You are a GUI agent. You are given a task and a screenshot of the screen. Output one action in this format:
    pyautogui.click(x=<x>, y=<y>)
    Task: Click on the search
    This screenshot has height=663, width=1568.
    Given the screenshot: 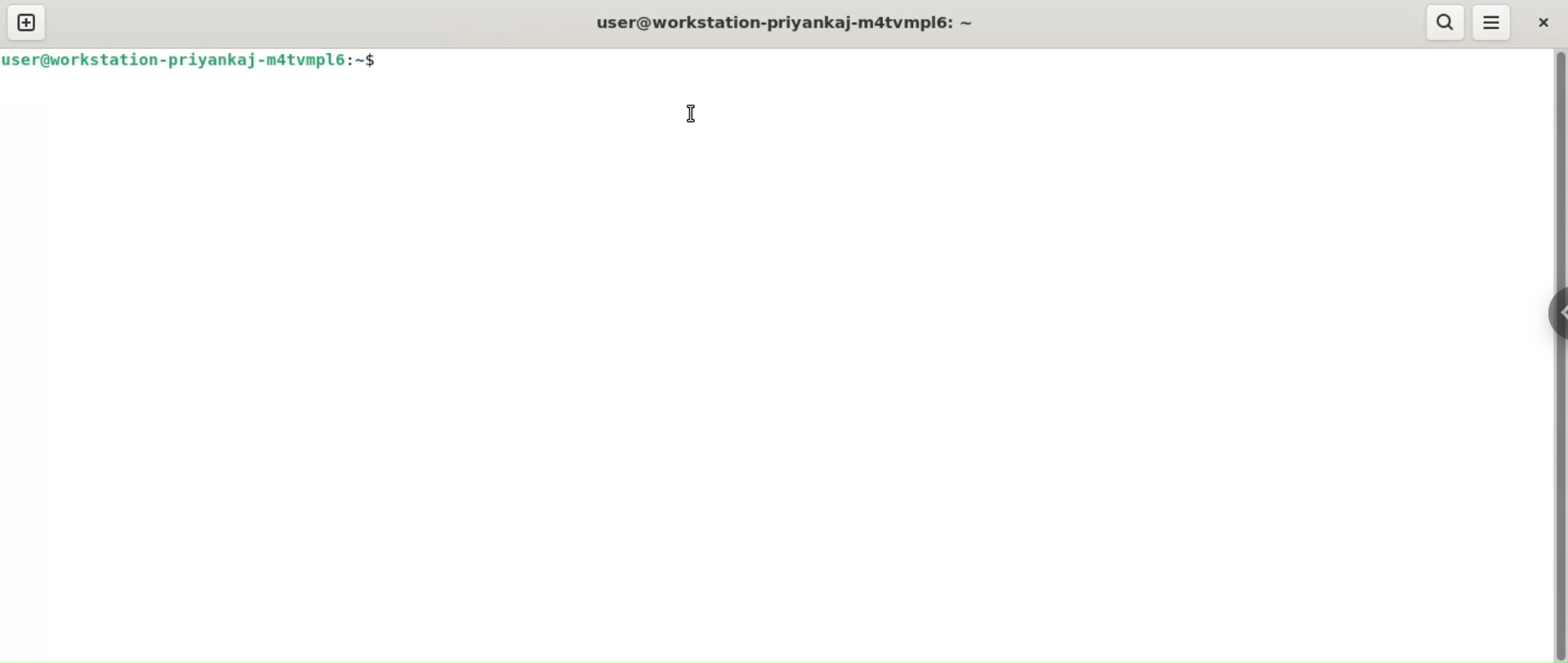 What is the action you would take?
    pyautogui.click(x=1443, y=22)
    